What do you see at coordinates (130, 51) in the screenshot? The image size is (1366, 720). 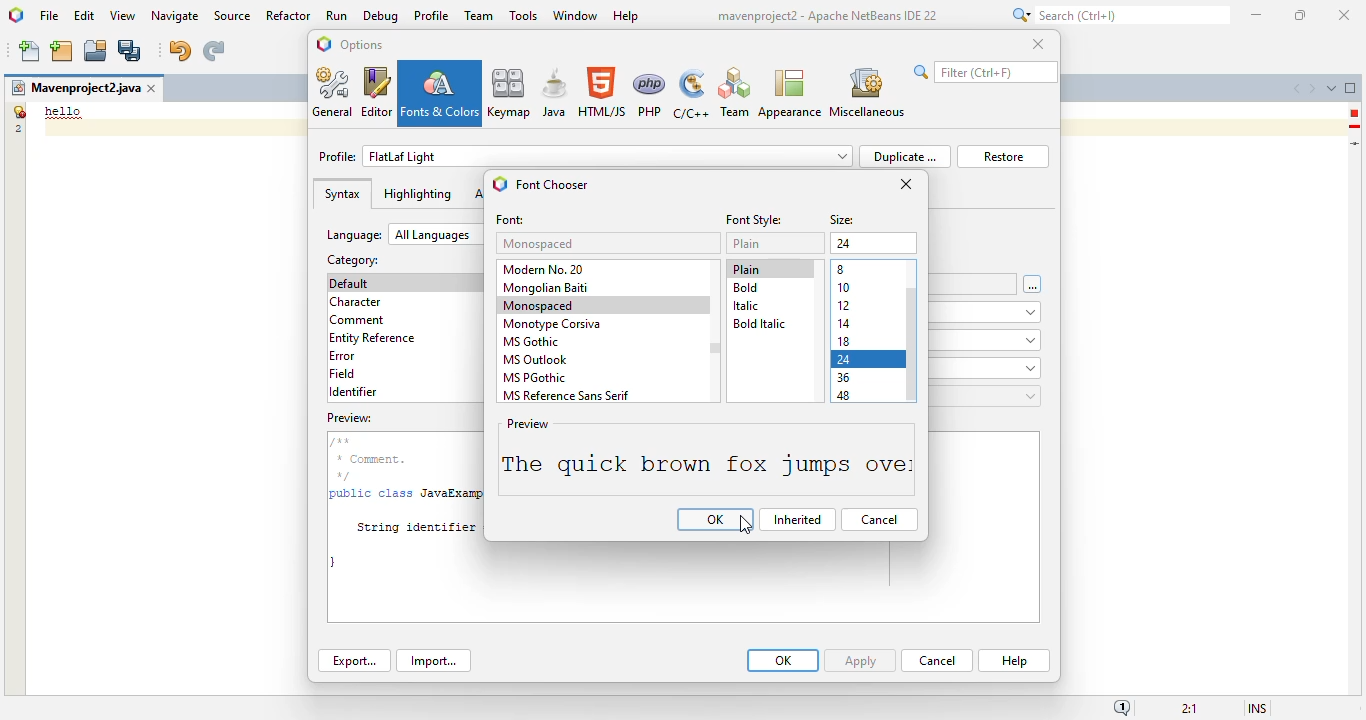 I see `save all` at bounding box center [130, 51].